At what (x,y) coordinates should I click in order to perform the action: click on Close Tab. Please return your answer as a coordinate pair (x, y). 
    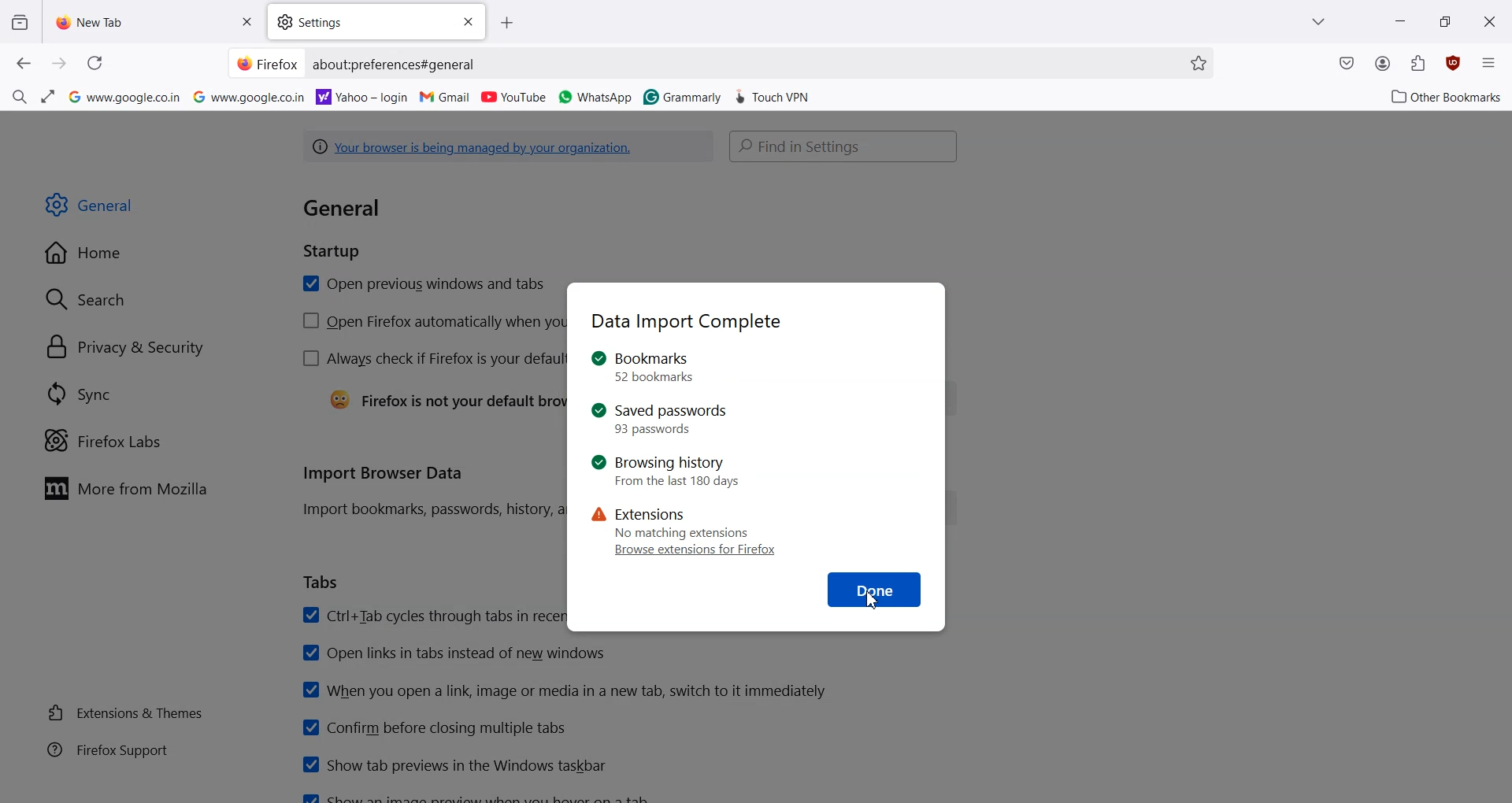
    Looking at the image, I should click on (246, 22).